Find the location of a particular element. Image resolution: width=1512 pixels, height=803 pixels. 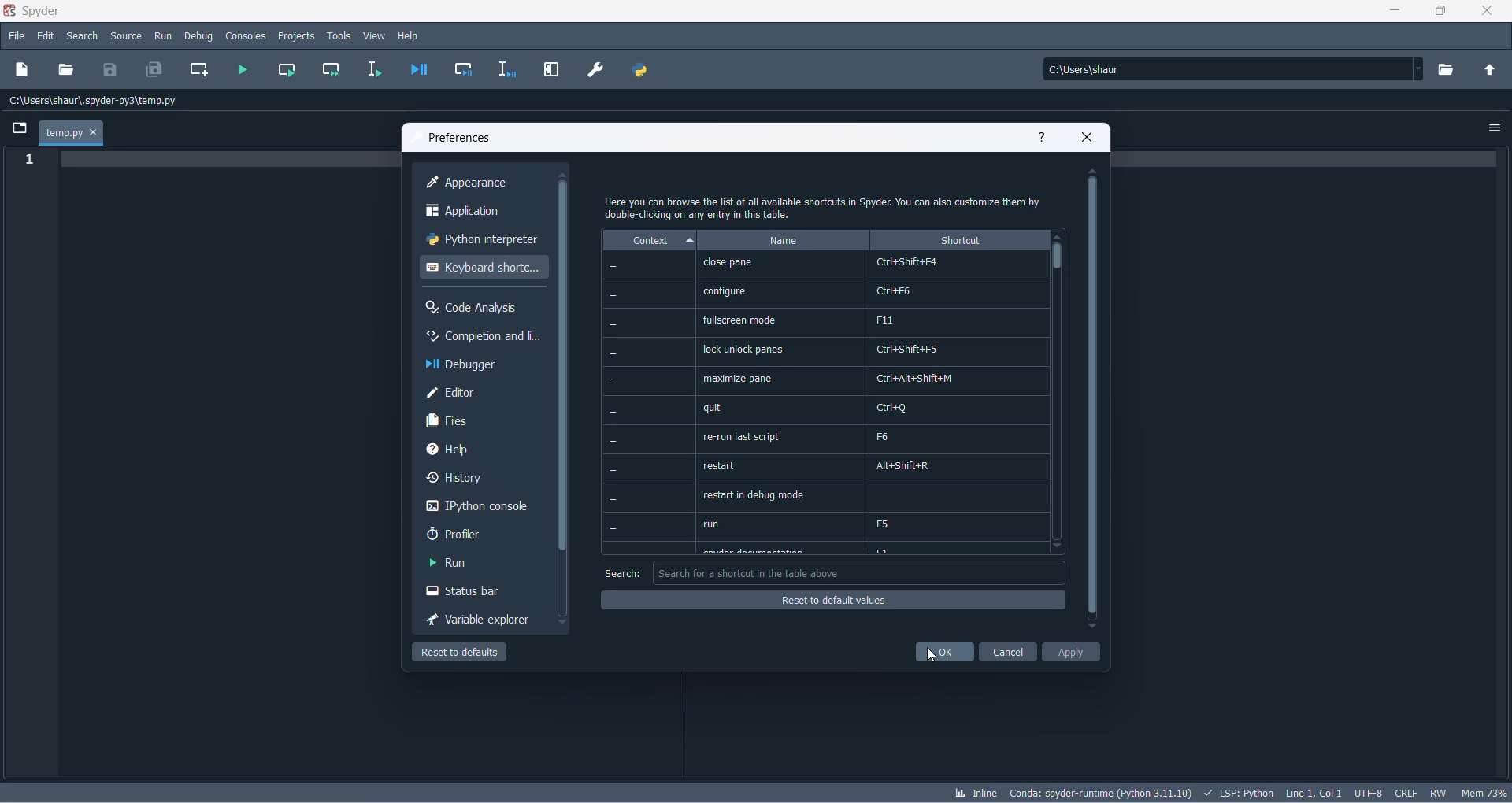

status bar is located at coordinates (475, 591).